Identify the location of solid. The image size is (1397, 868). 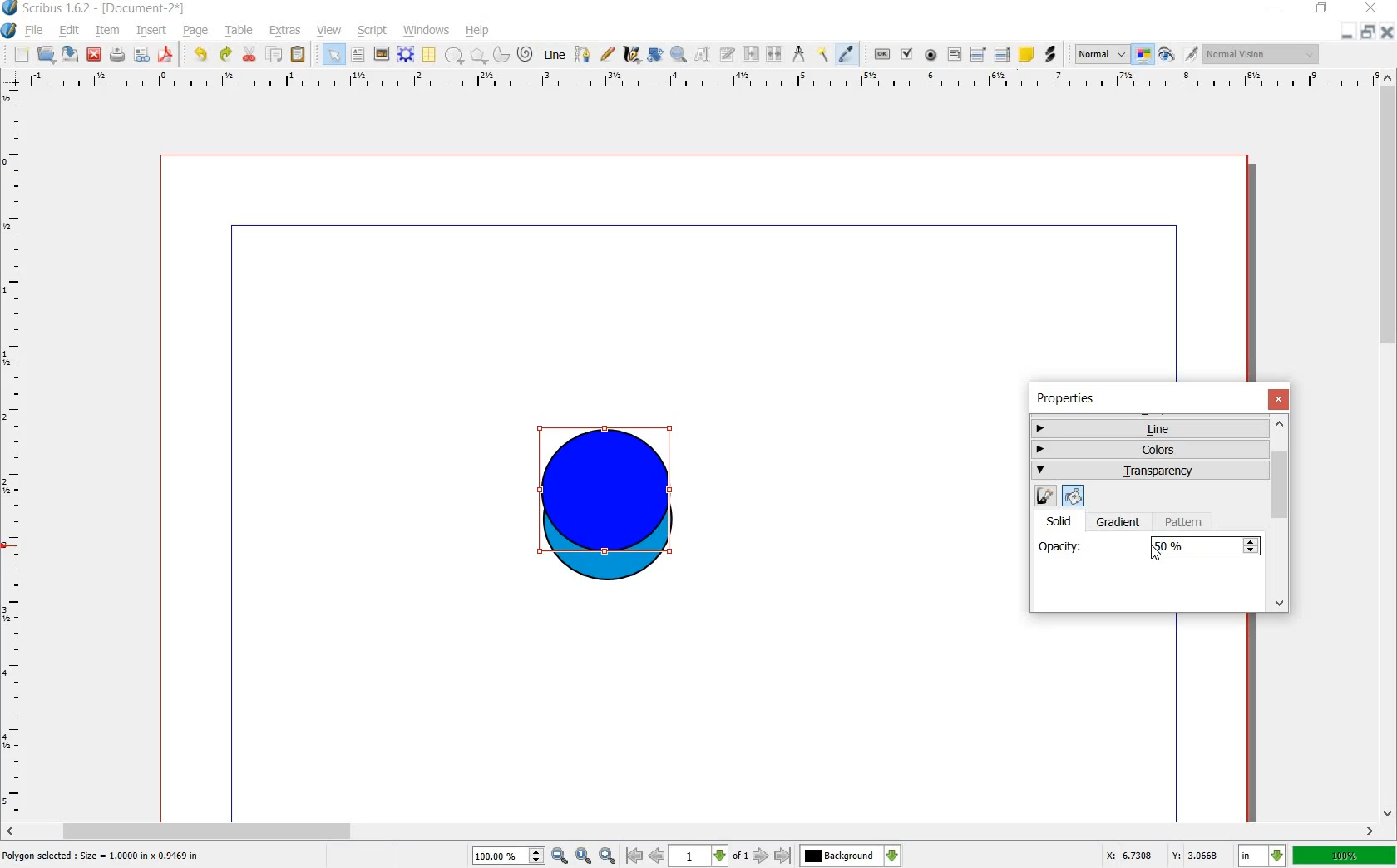
(1065, 520).